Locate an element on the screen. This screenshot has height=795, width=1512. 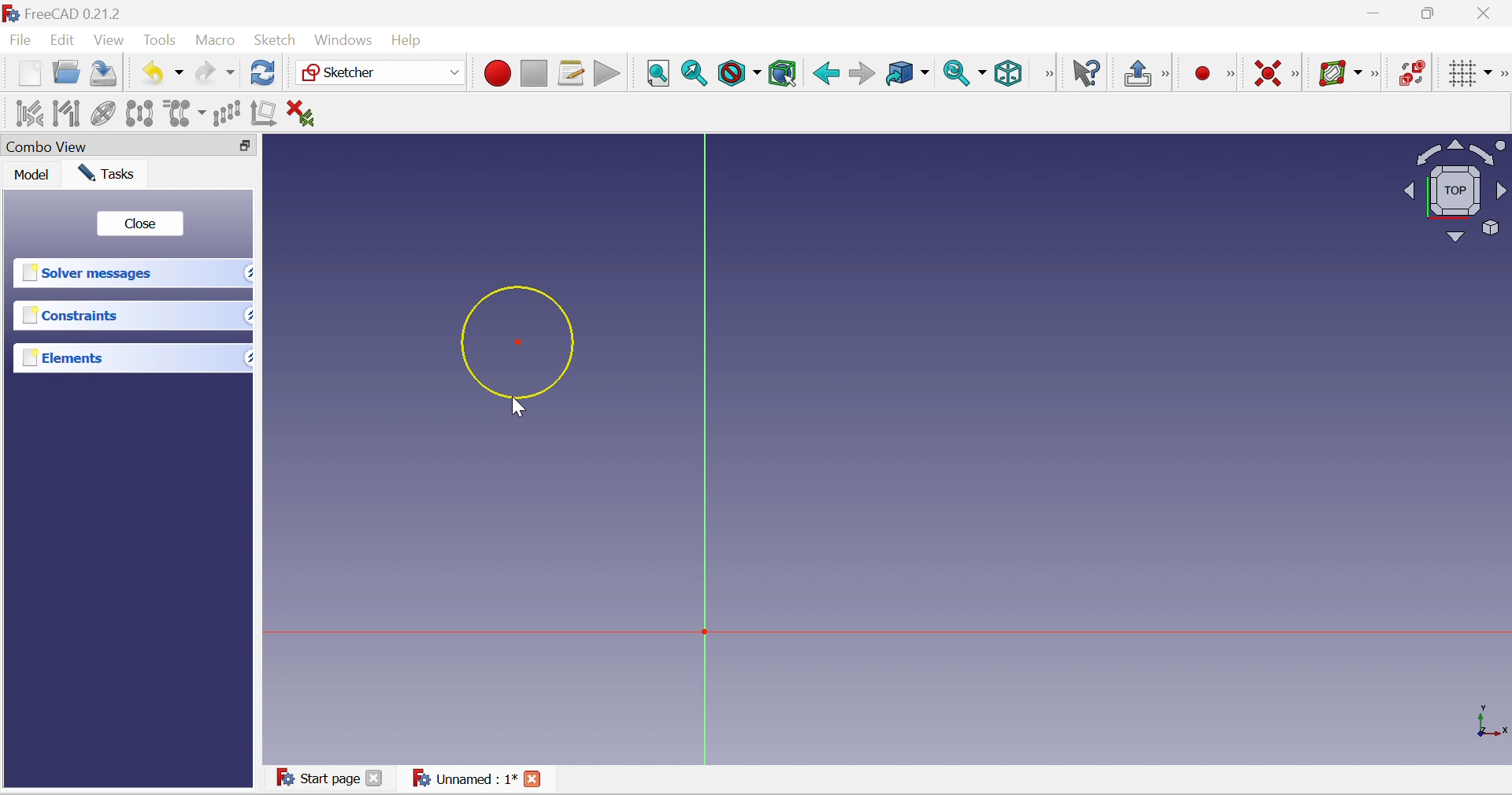
Minimize is located at coordinates (1374, 15).